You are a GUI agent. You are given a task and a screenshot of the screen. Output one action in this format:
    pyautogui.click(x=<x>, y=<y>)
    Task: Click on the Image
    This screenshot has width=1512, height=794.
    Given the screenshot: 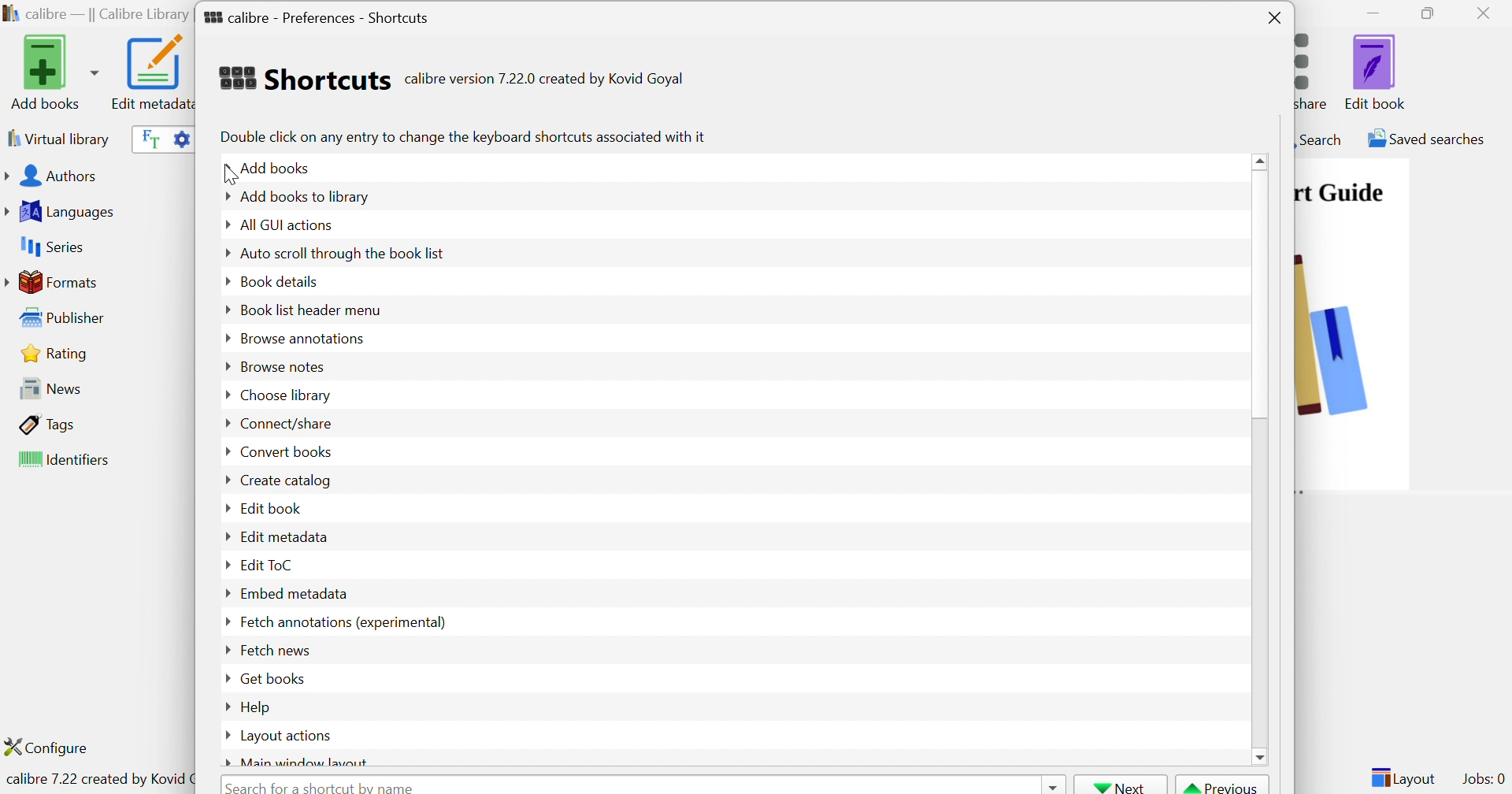 What is the action you would take?
    pyautogui.click(x=1333, y=331)
    